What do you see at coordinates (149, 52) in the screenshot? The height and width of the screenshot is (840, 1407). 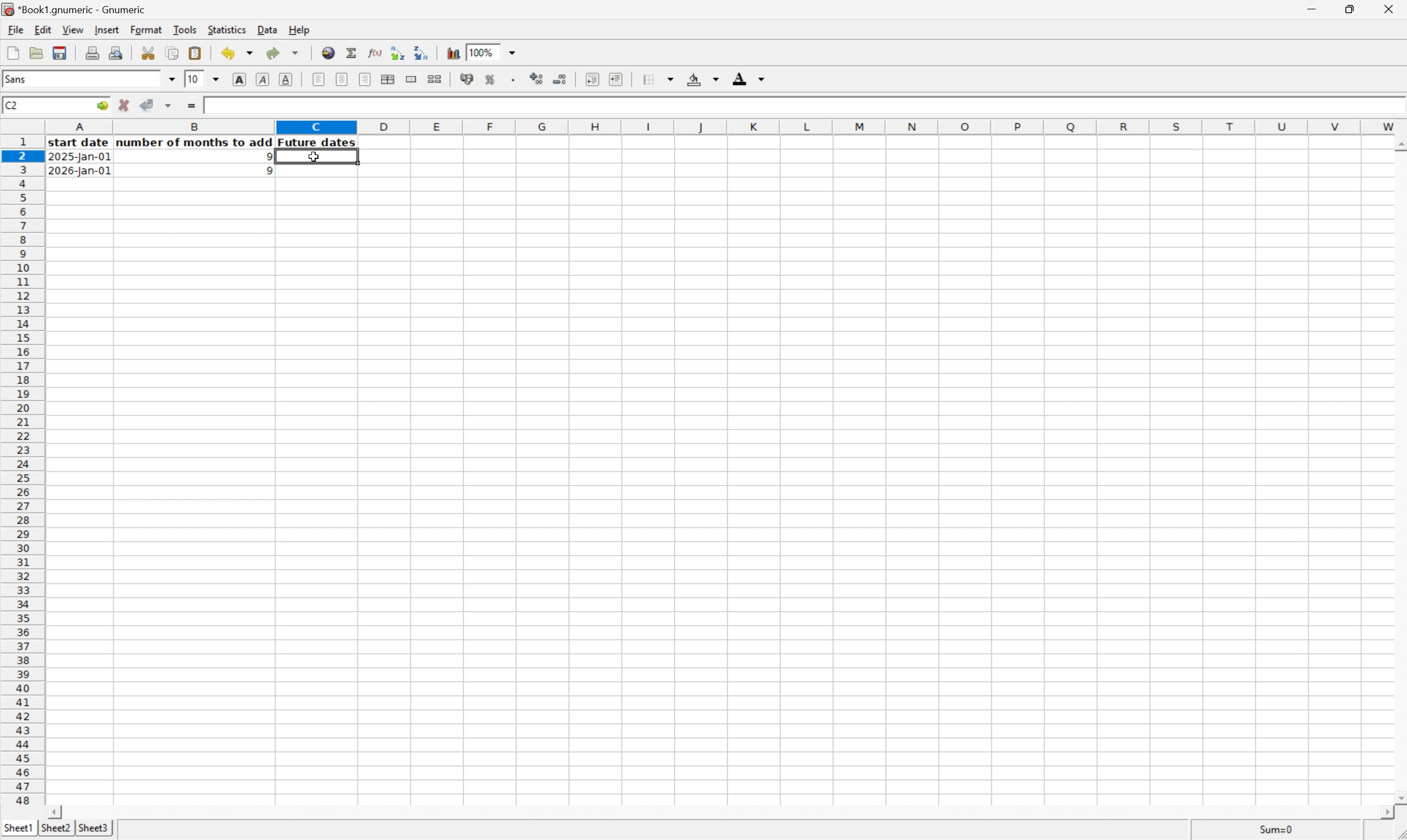 I see `Cut selection` at bounding box center [149, 52].